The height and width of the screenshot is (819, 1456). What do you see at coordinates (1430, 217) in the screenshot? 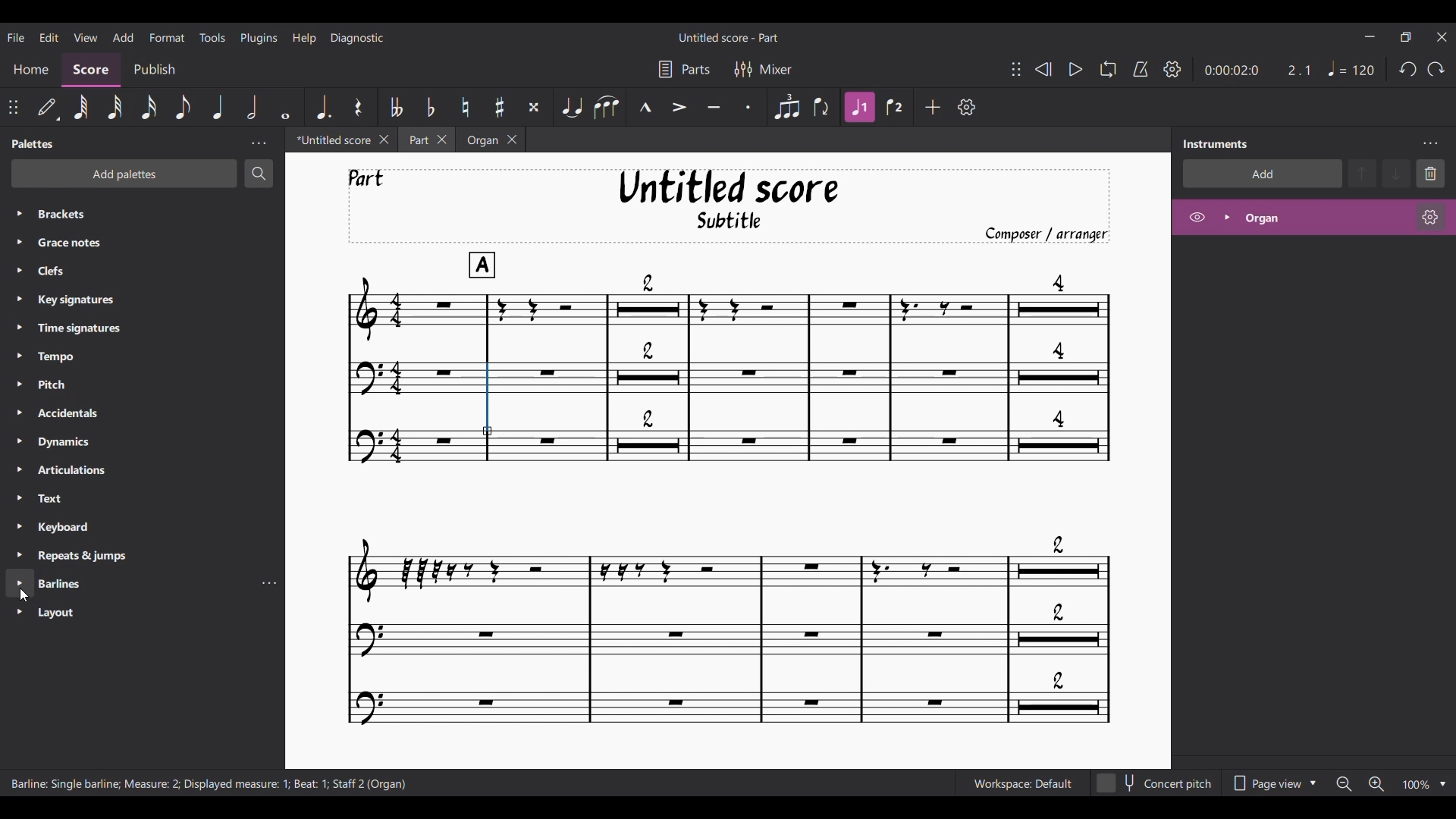
I see `Organ settings` at bounding box center [1430, 217].